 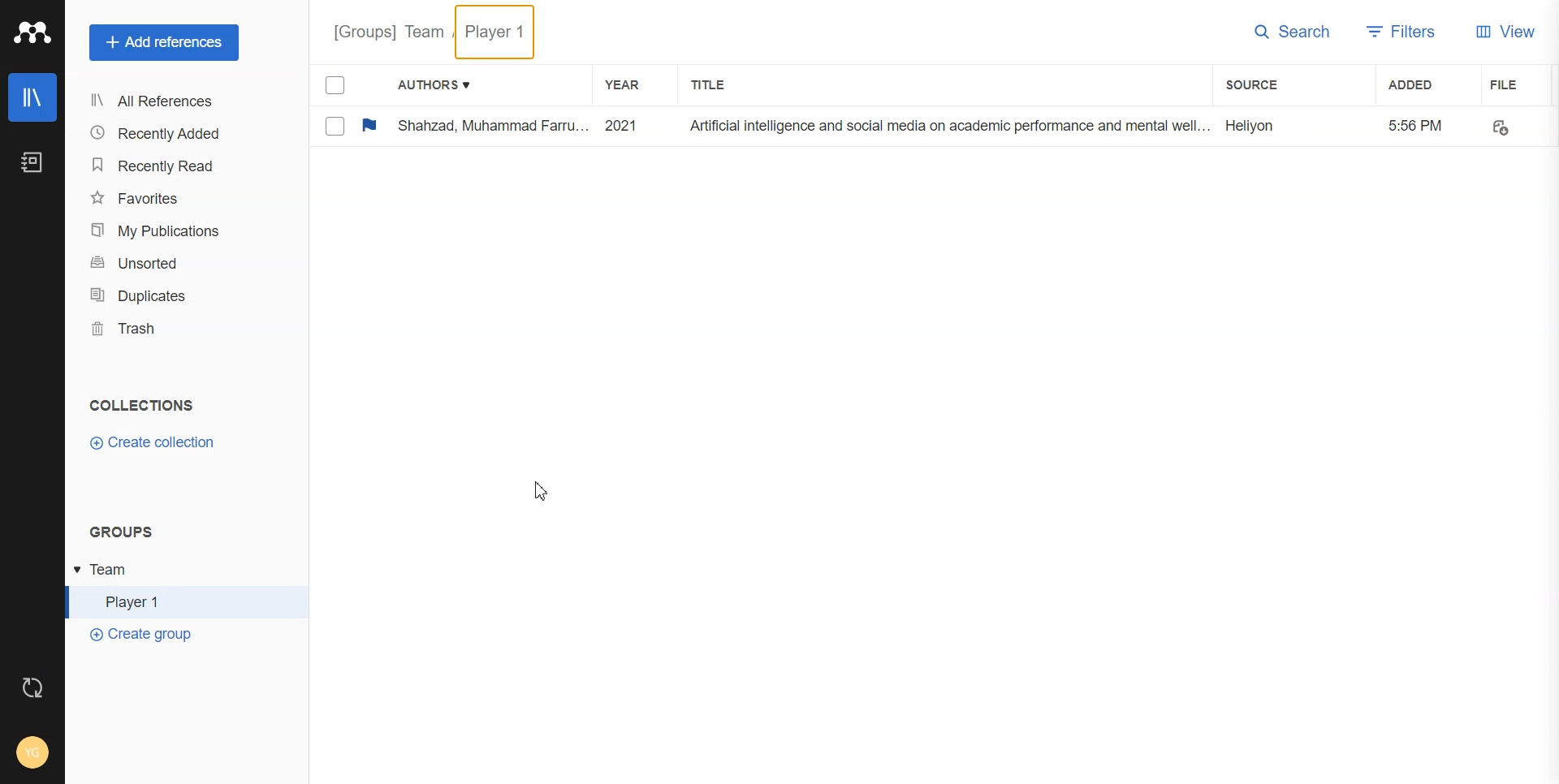 What do you see at coordinates (164, 166) in the screenshot?
I see `Recently Read` at bounding box center [164, 166].